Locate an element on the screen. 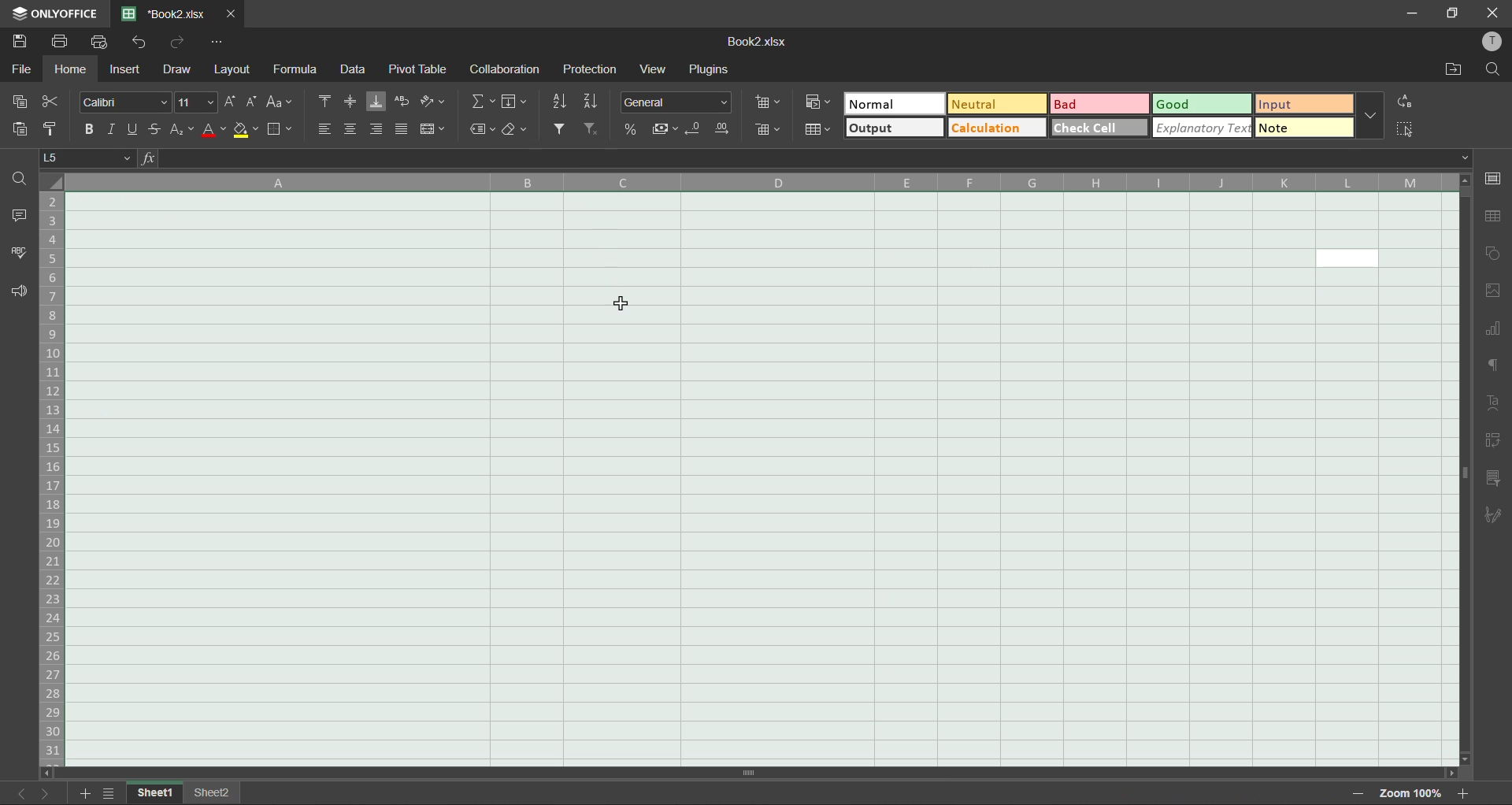 This screenshot has height=805, width=1512. minimize is located at coordinates (1413, 13).